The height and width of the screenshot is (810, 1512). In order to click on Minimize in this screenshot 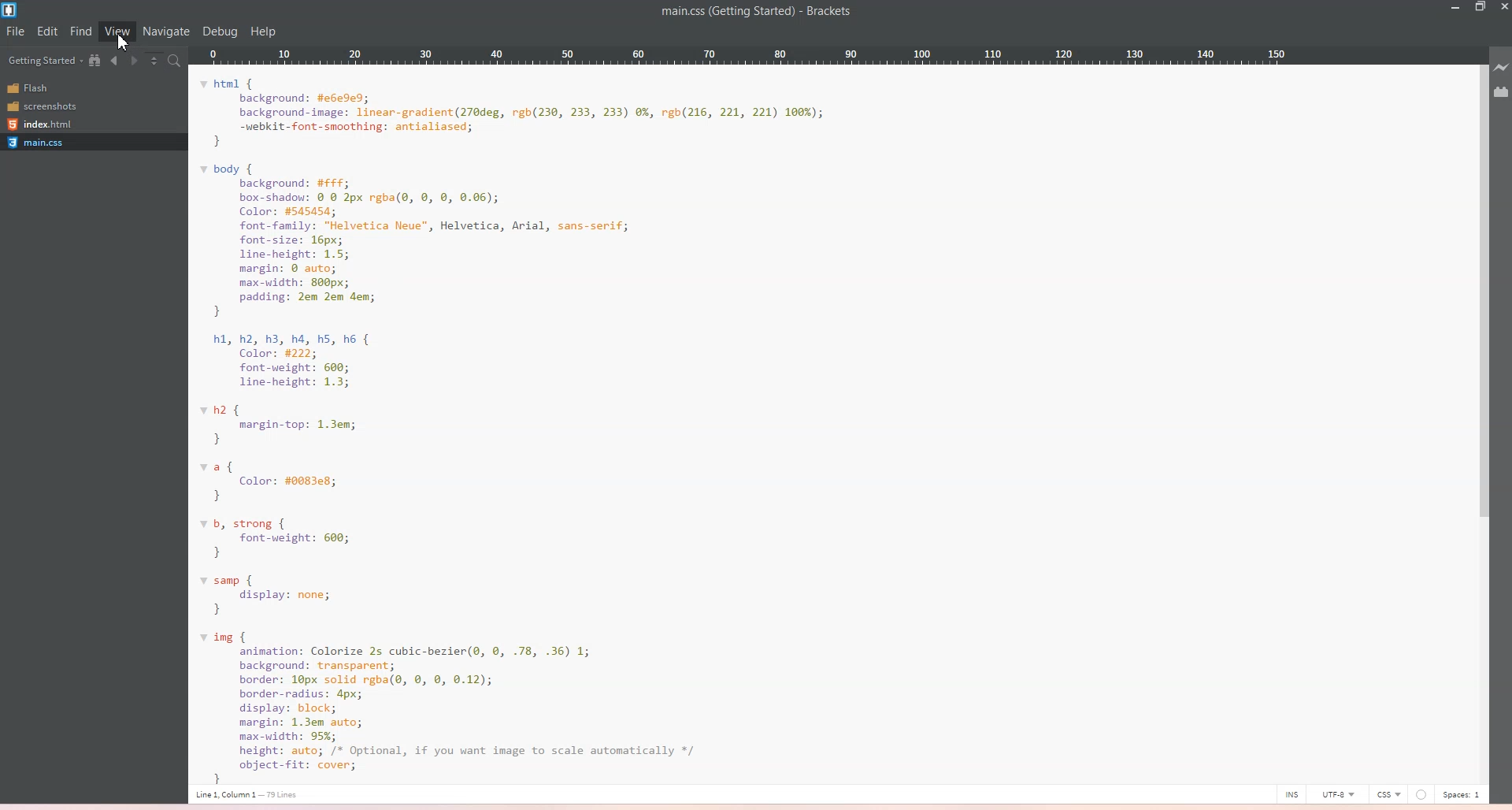, I will do `click(1455, 7)`.